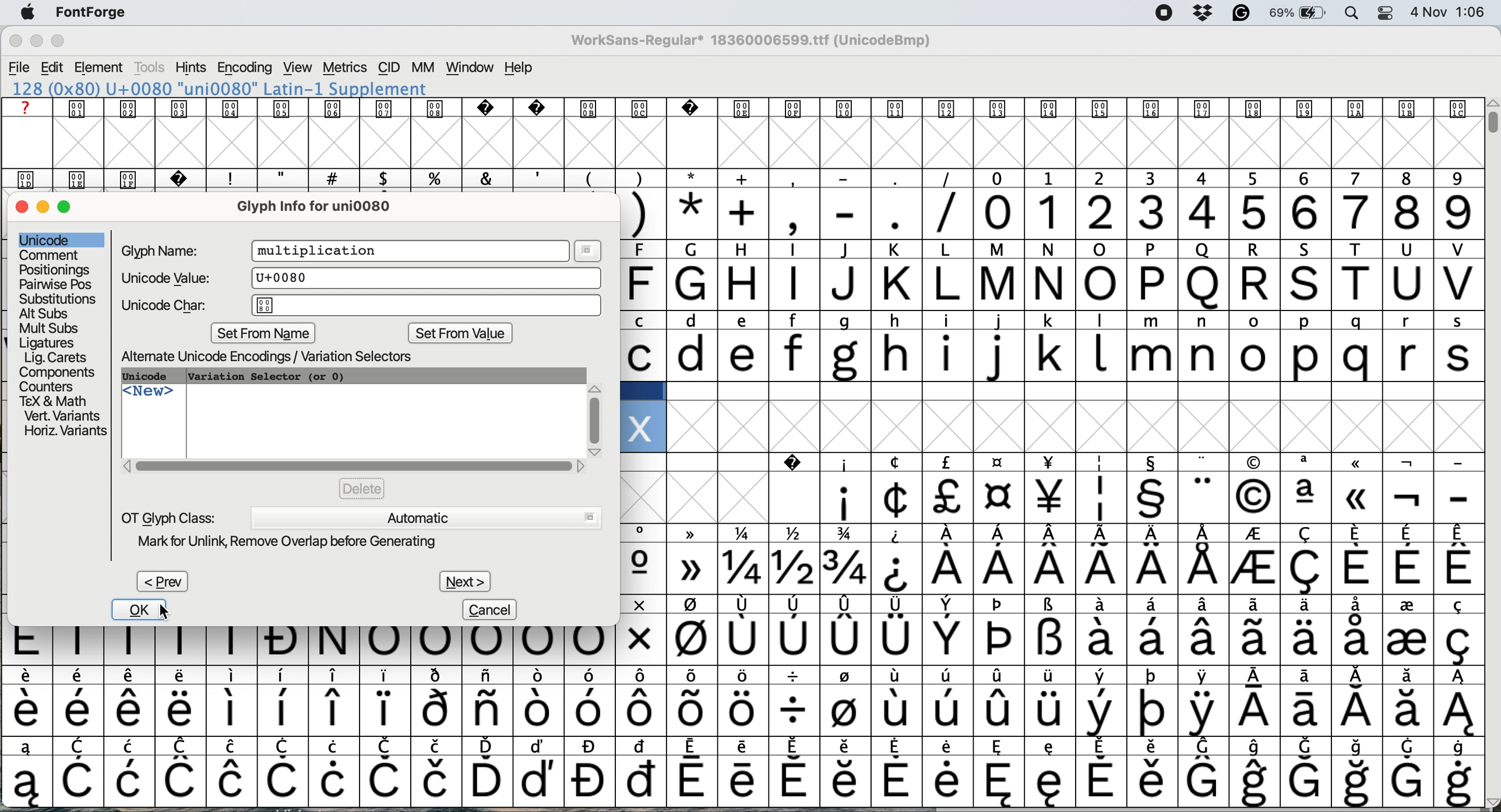 This screenshot has height=812, width=1501. I want to click on special characters, so click(737, 710).